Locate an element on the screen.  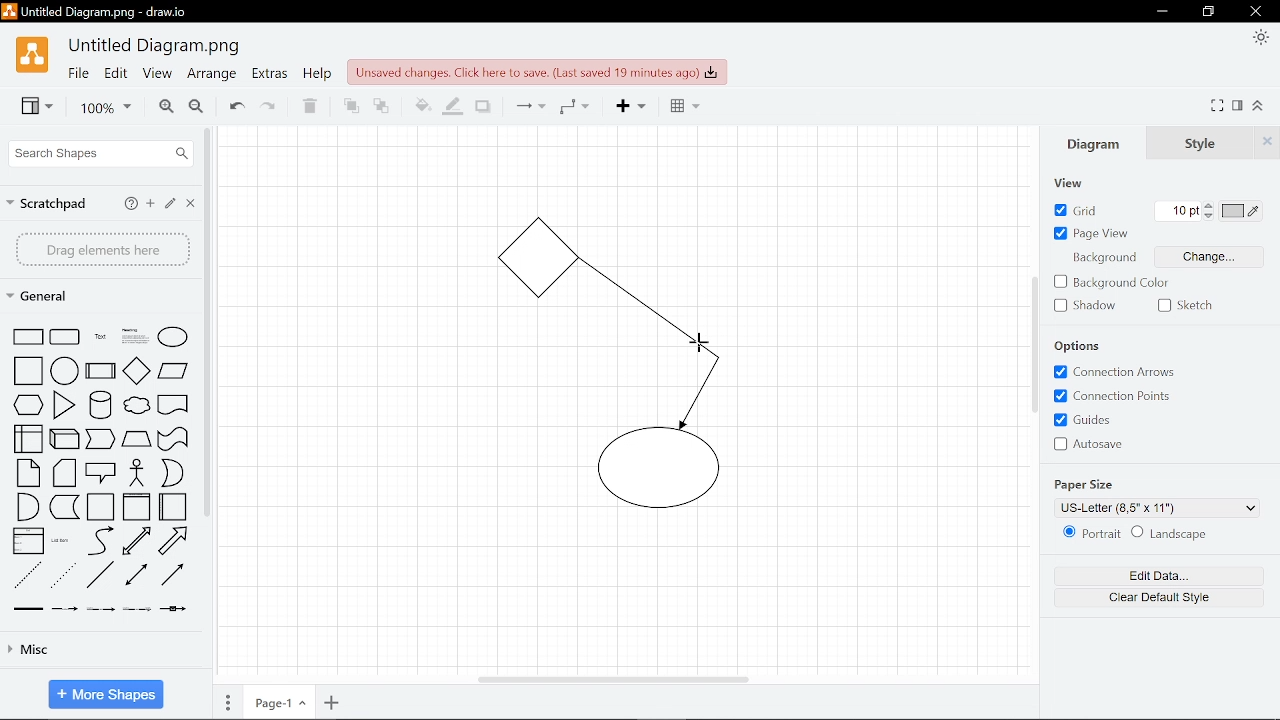
checkbox is located at coordinates (1164, 305).